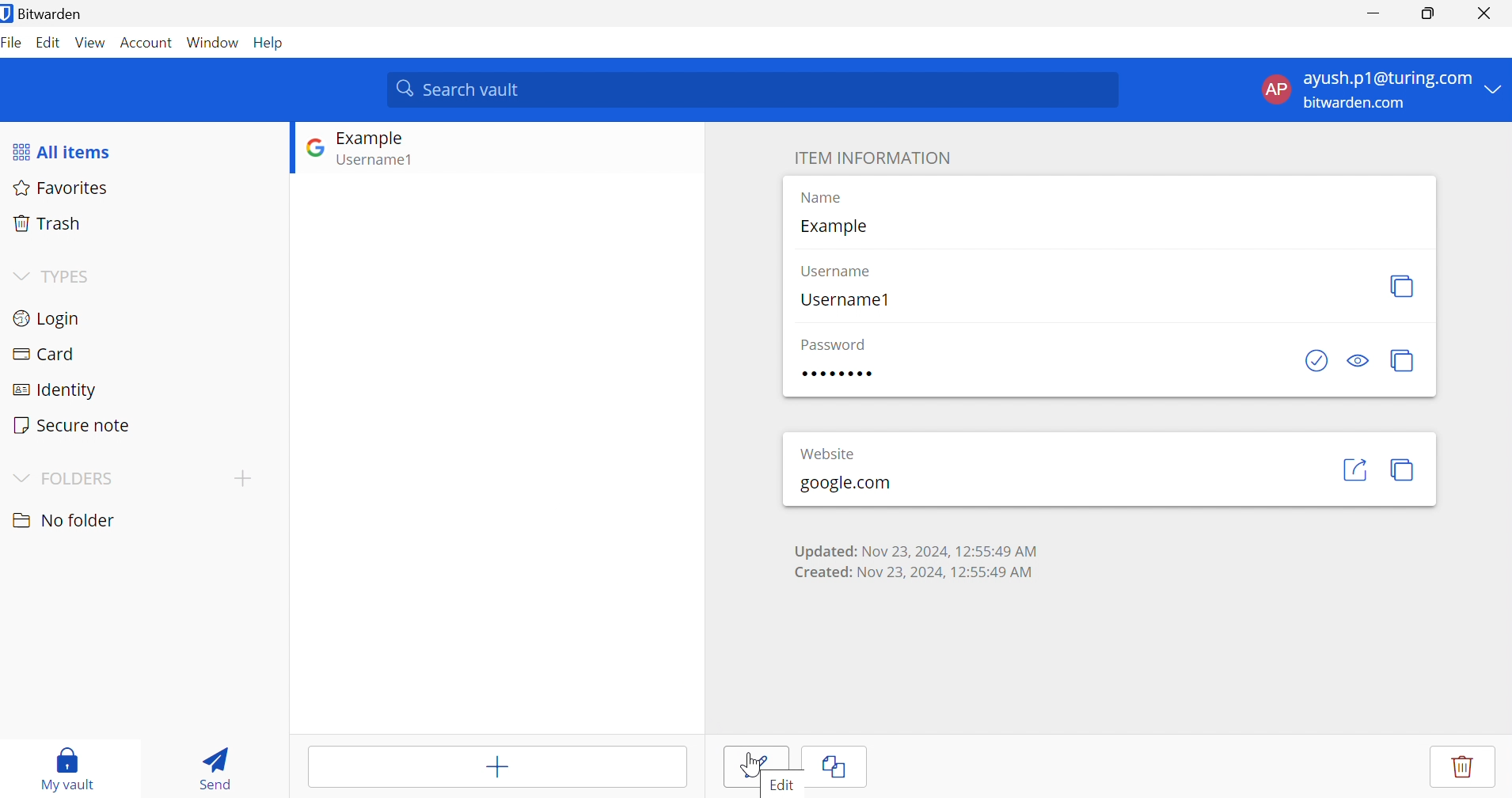 Image resolution: width=1512 pixels, height=798 pixels. I want to click on Close, so click(1484, 11).